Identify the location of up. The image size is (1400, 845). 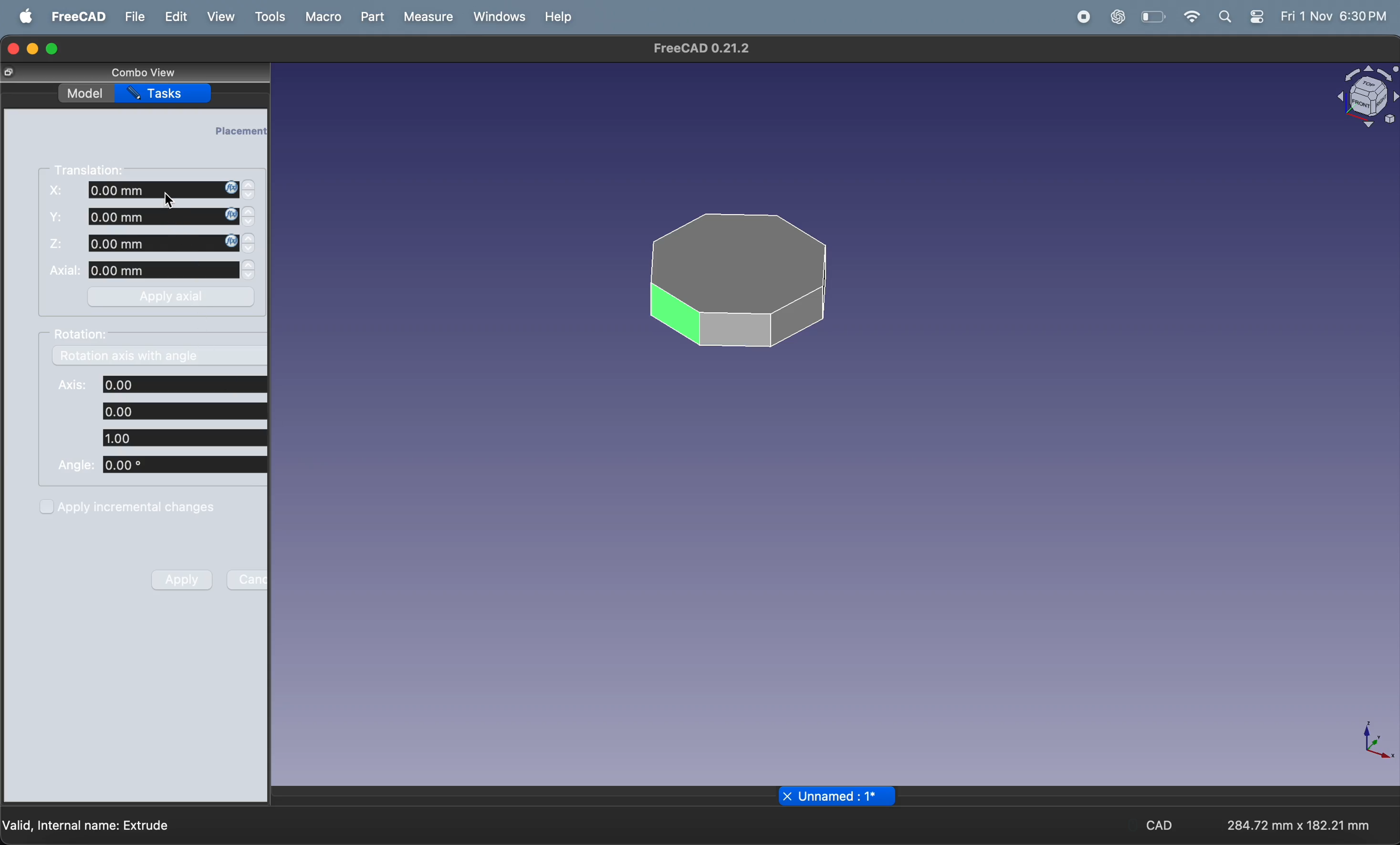
(250, 265).